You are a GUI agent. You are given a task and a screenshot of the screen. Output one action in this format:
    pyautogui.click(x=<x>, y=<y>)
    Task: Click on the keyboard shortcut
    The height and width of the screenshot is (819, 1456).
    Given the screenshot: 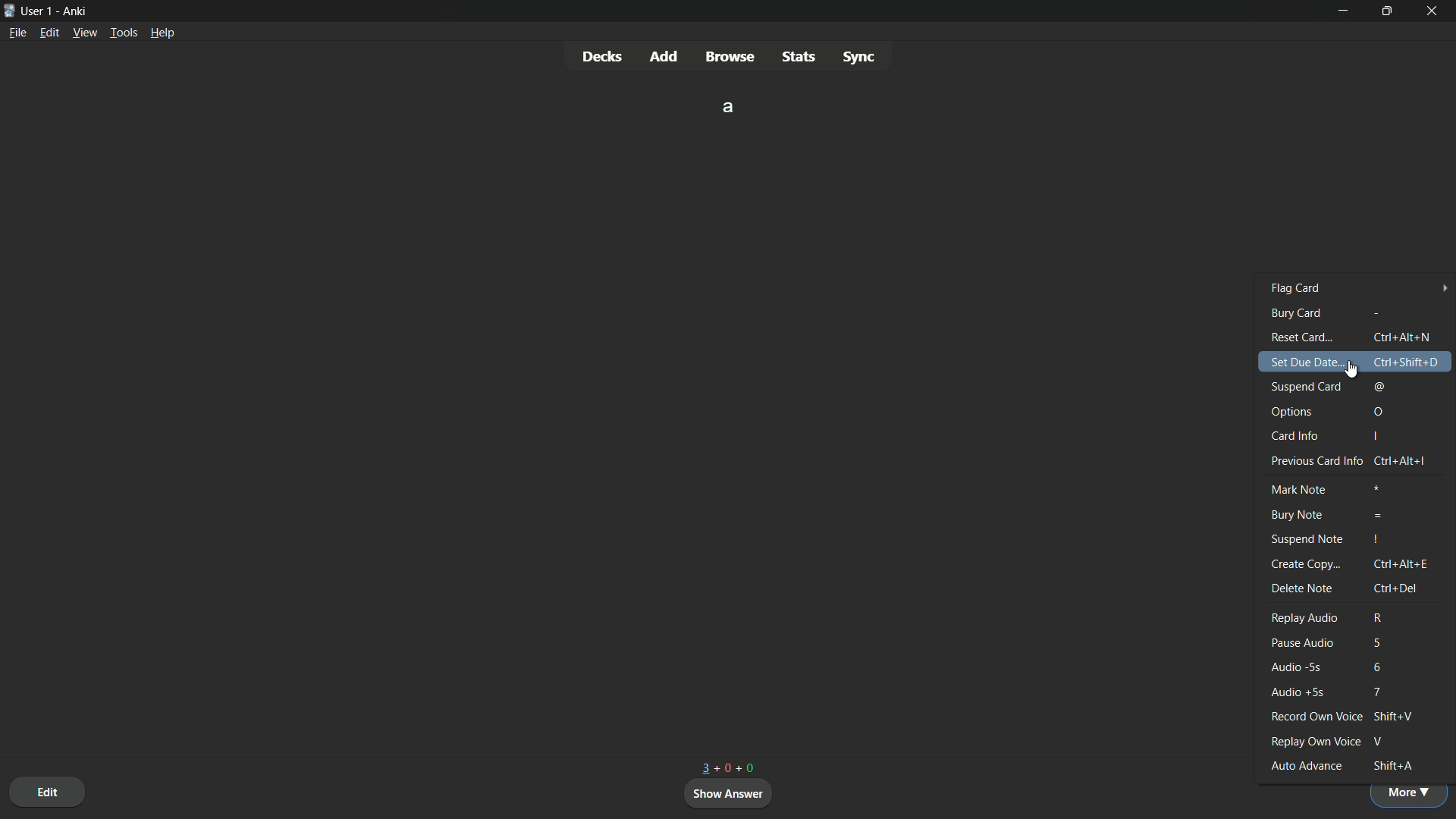 What is the action you would take?
    pyautogui.click(x=1379, y=412)
    